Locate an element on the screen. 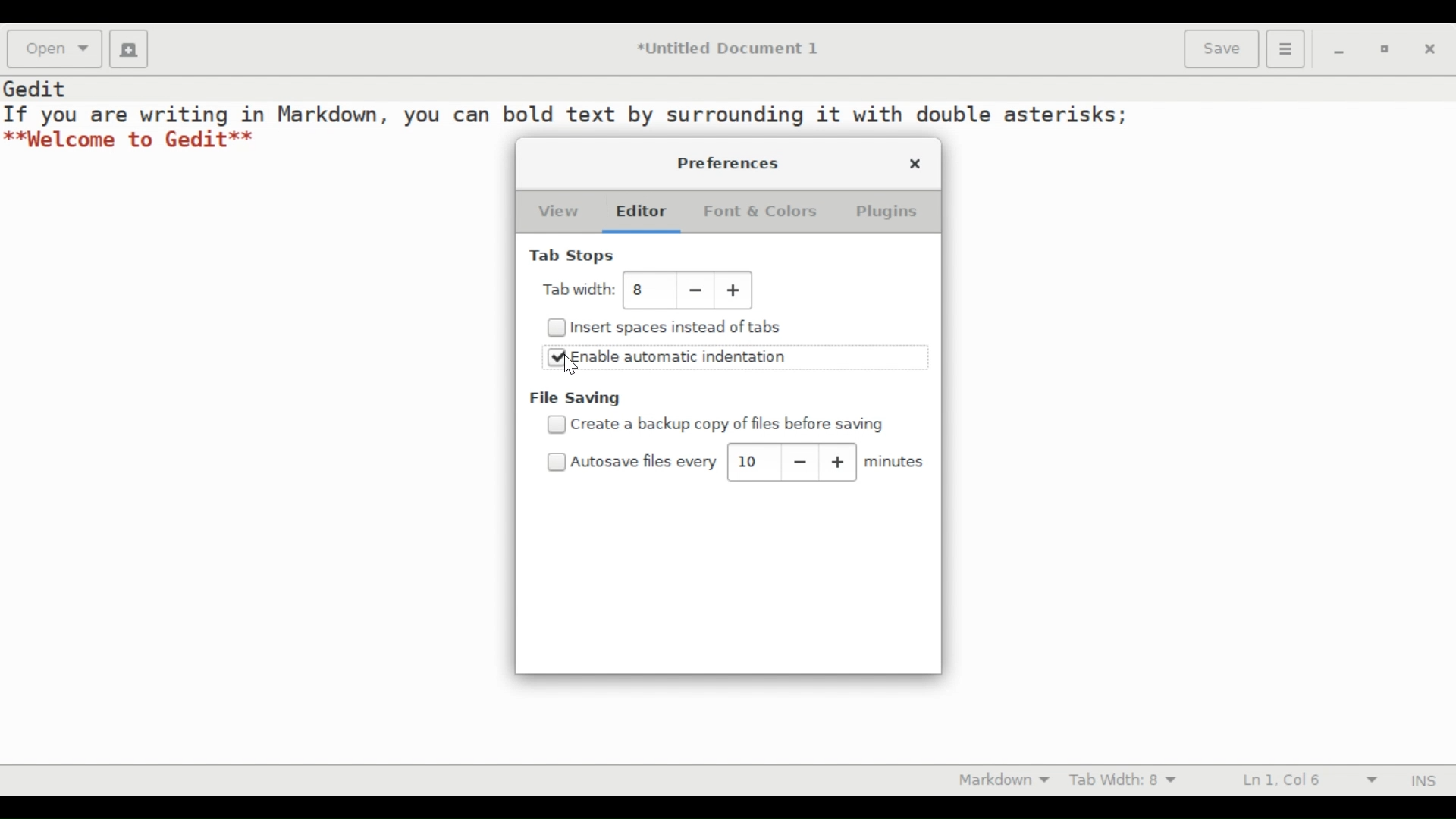 The width and height of the screenshot is (1456, 819). minimize is located at coordinates (1336, 52).